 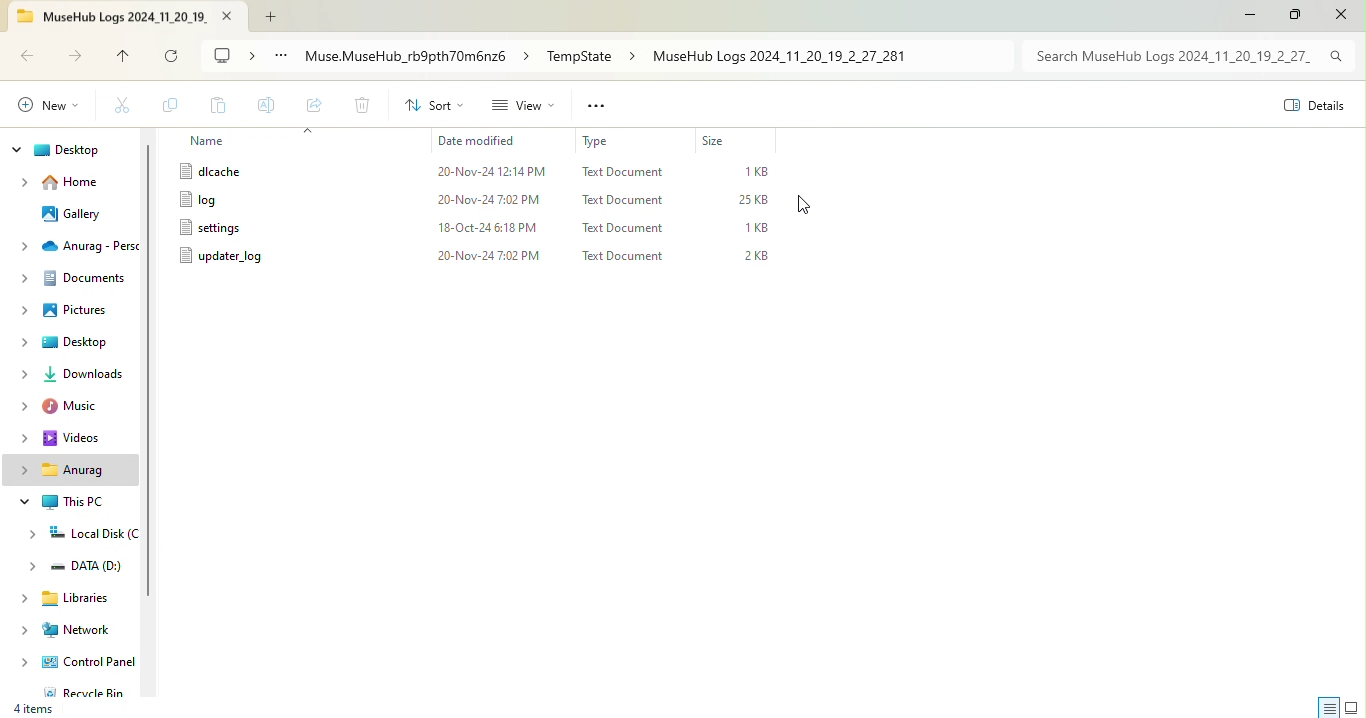 What do you see at coordinates (1297, 15) in the screenshot?
I see `Maximize` at bounding box center [1297, 15].